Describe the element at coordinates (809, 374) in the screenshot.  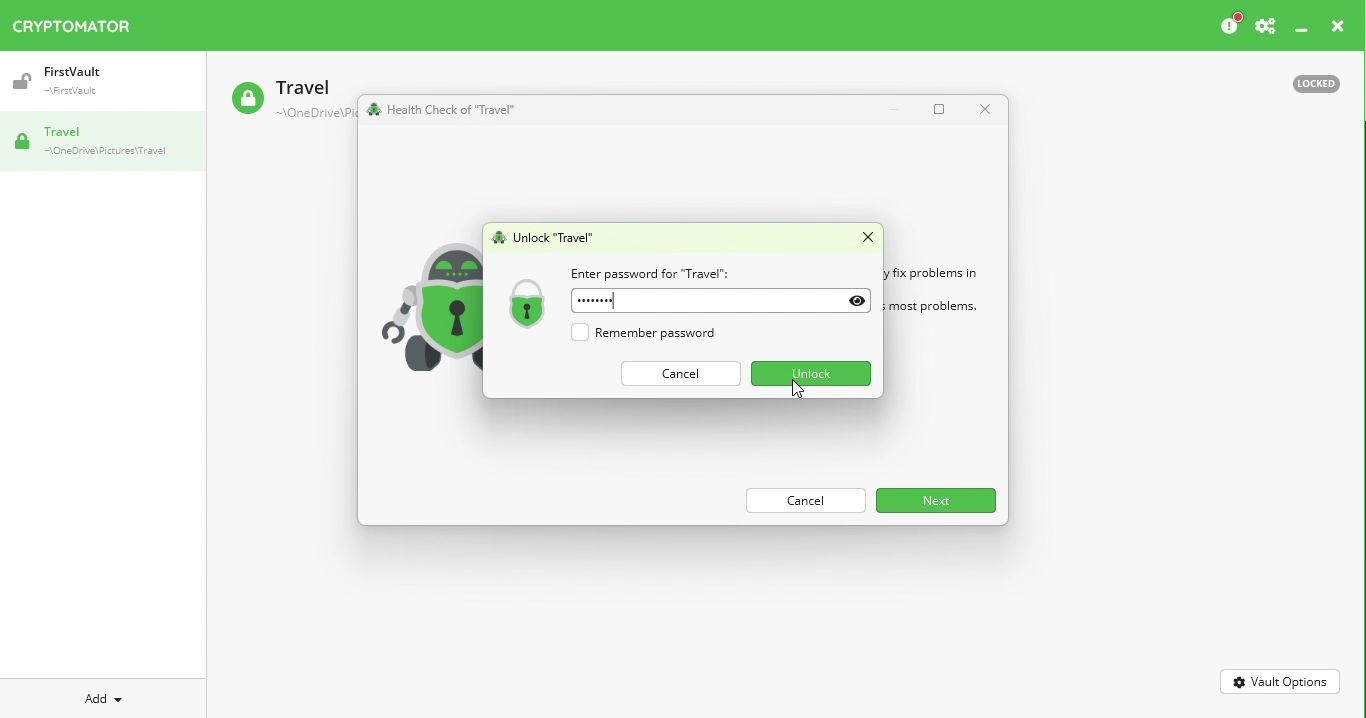
I see `Unlock` at that location.